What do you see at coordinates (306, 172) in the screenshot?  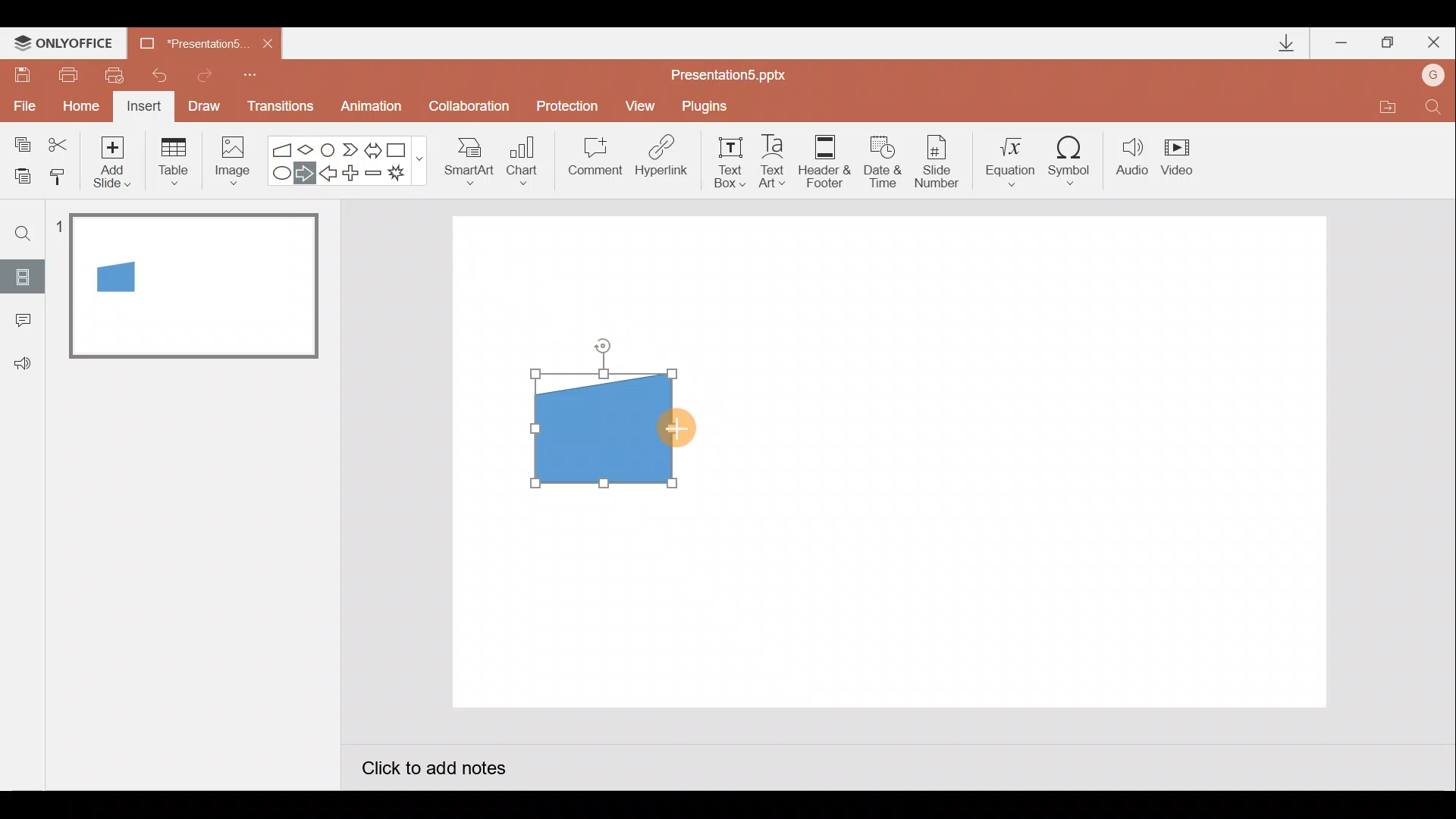 I see `Right arrow` at bounding box center [306, 172].